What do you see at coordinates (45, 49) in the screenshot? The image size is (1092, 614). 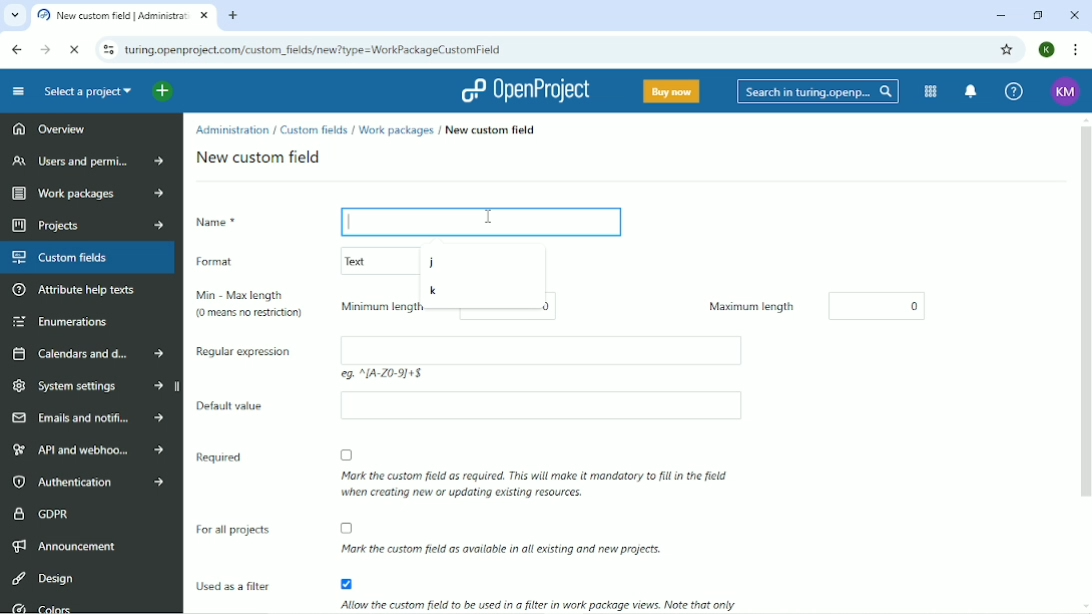 I see `Forward` at bounding box center [45, 49].